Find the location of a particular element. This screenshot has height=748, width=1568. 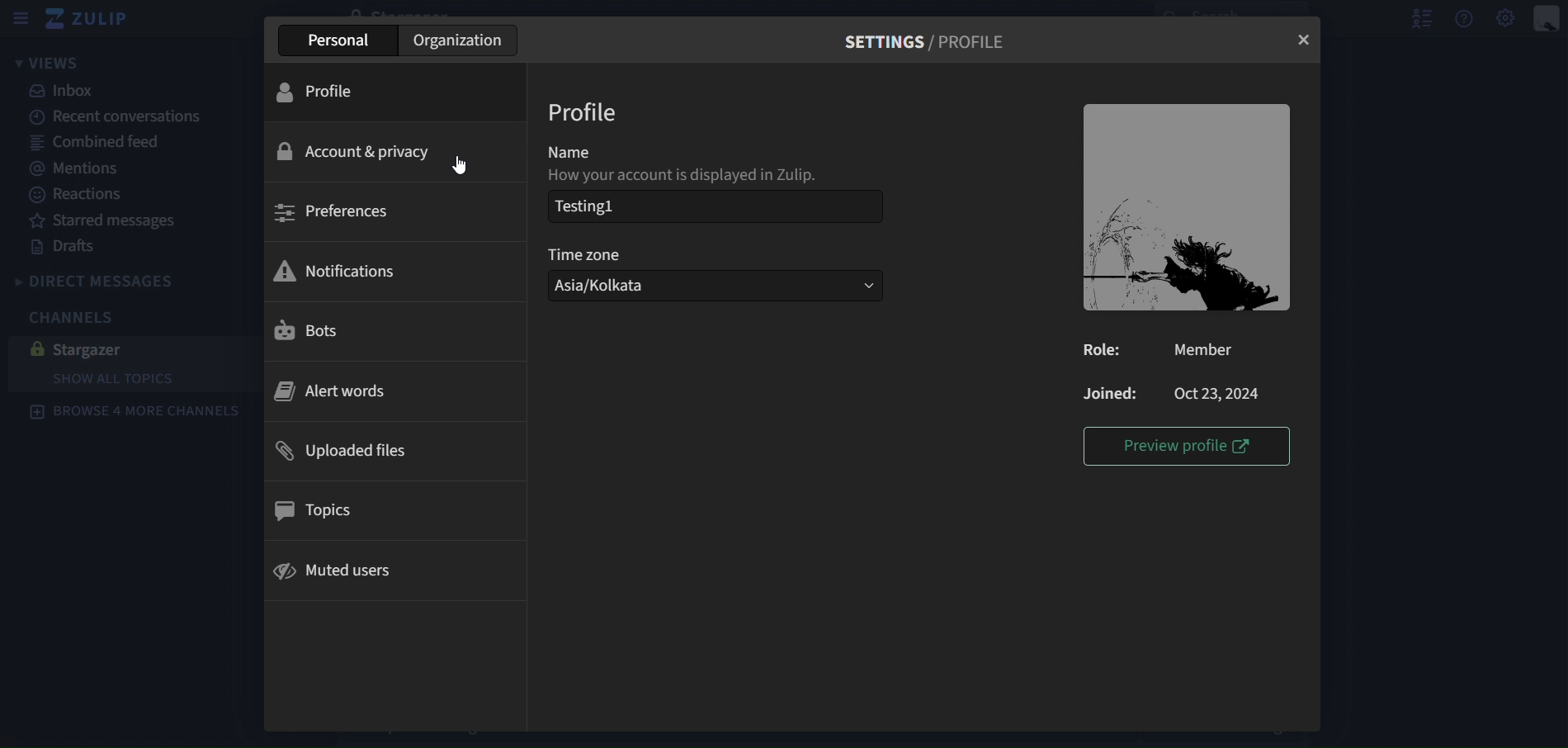

Joined: Oct 23,2024 is located at coordinates (1172, 393).